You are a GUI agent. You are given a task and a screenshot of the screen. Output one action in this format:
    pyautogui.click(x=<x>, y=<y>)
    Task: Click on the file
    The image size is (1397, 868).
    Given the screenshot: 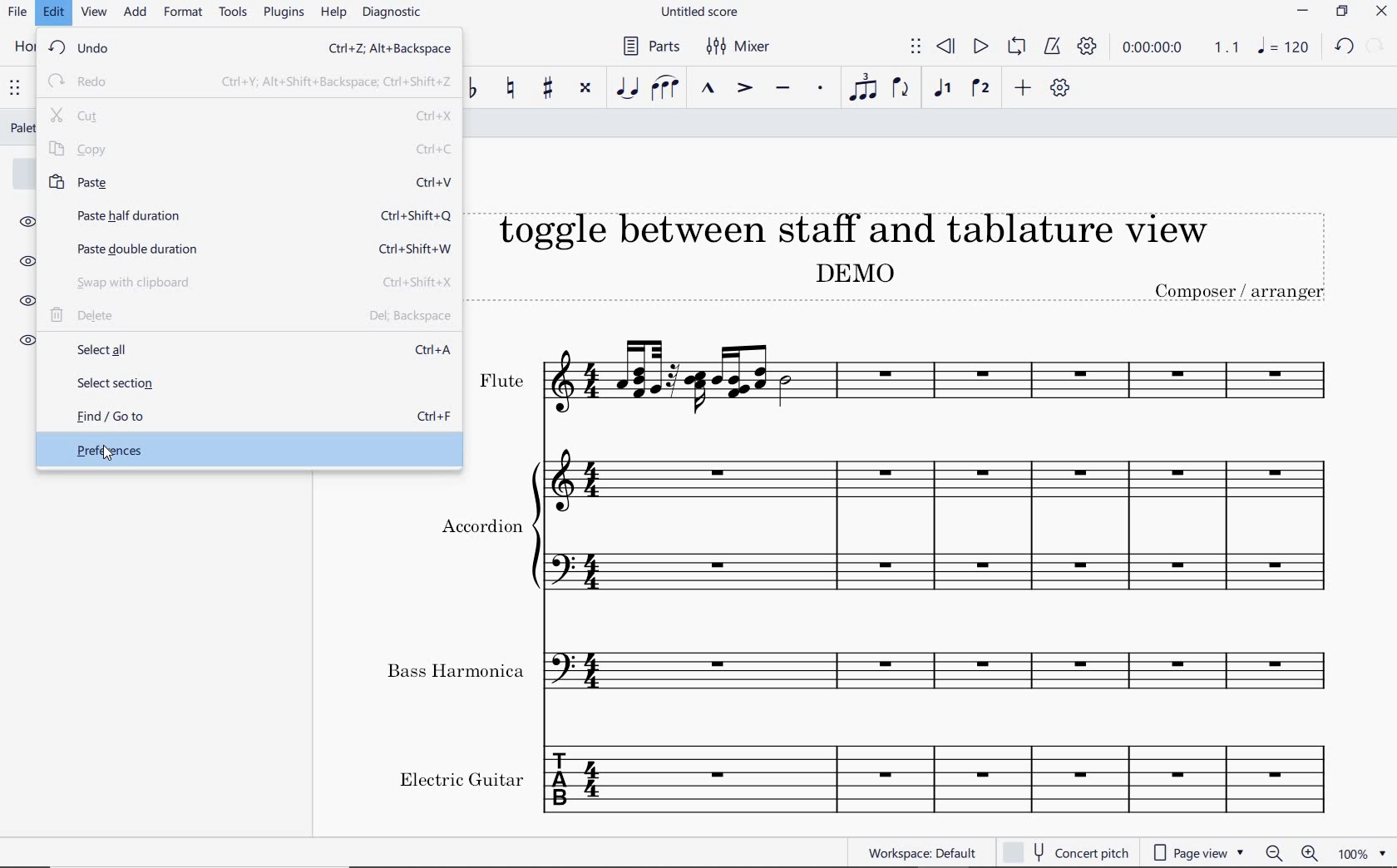 What is the action you would take?
    pyautogui.click(x=17, y=14)
    